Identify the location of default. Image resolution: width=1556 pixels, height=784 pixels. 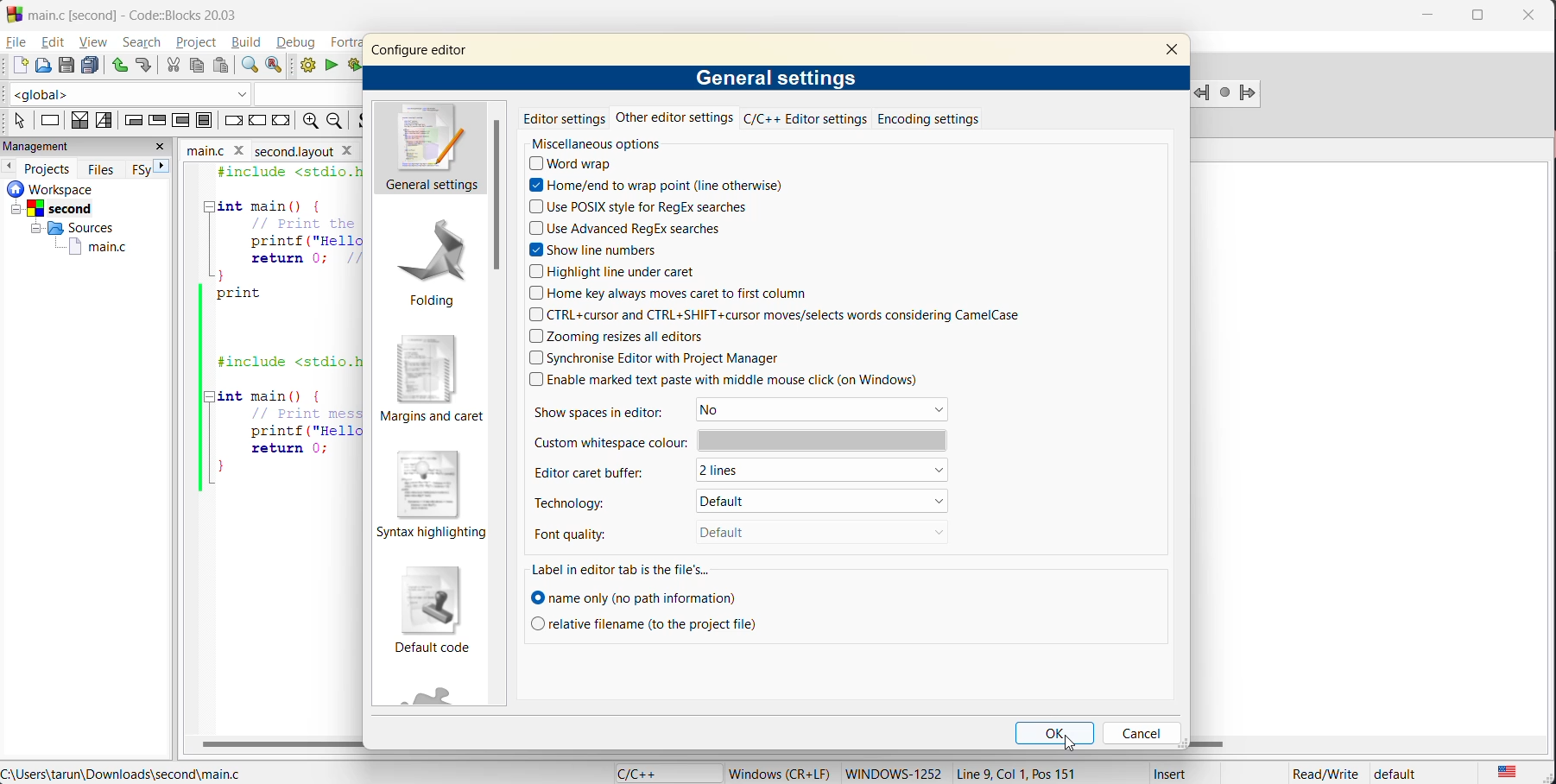
(1415, 774).